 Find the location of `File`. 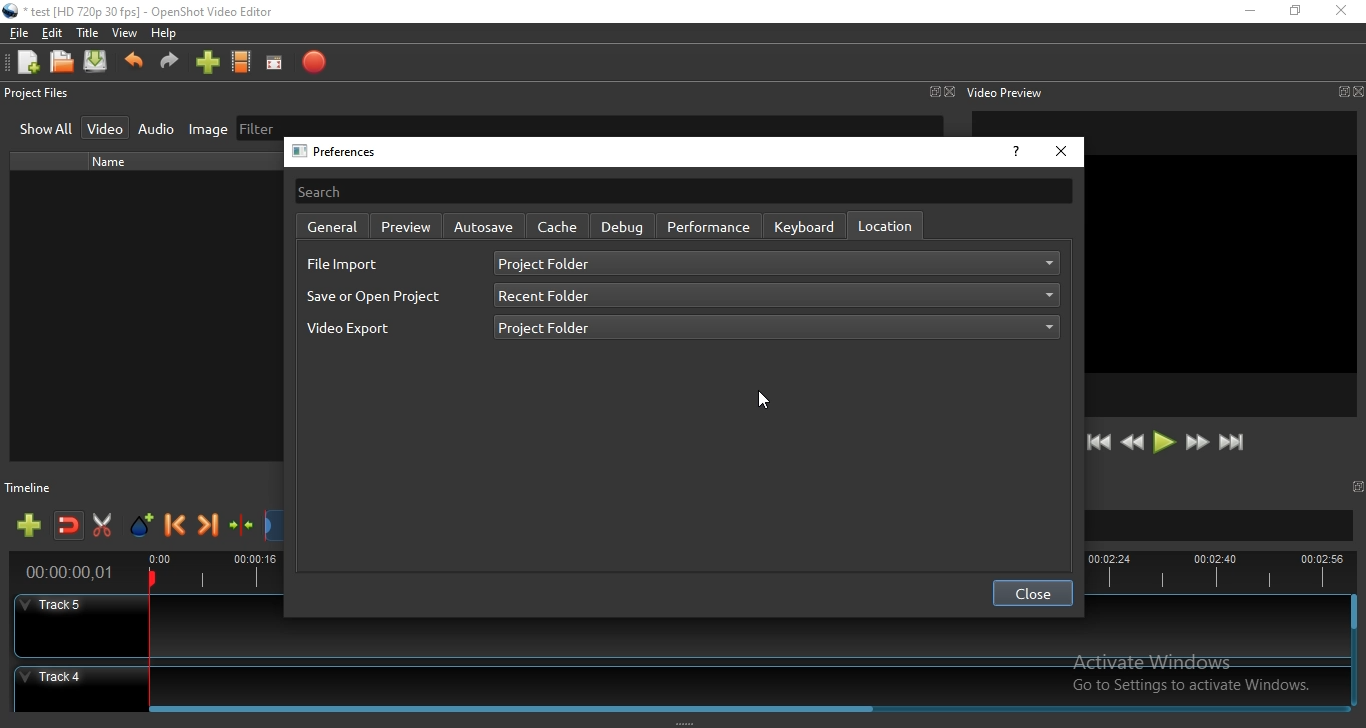

File is located at coordinates (16, 33).